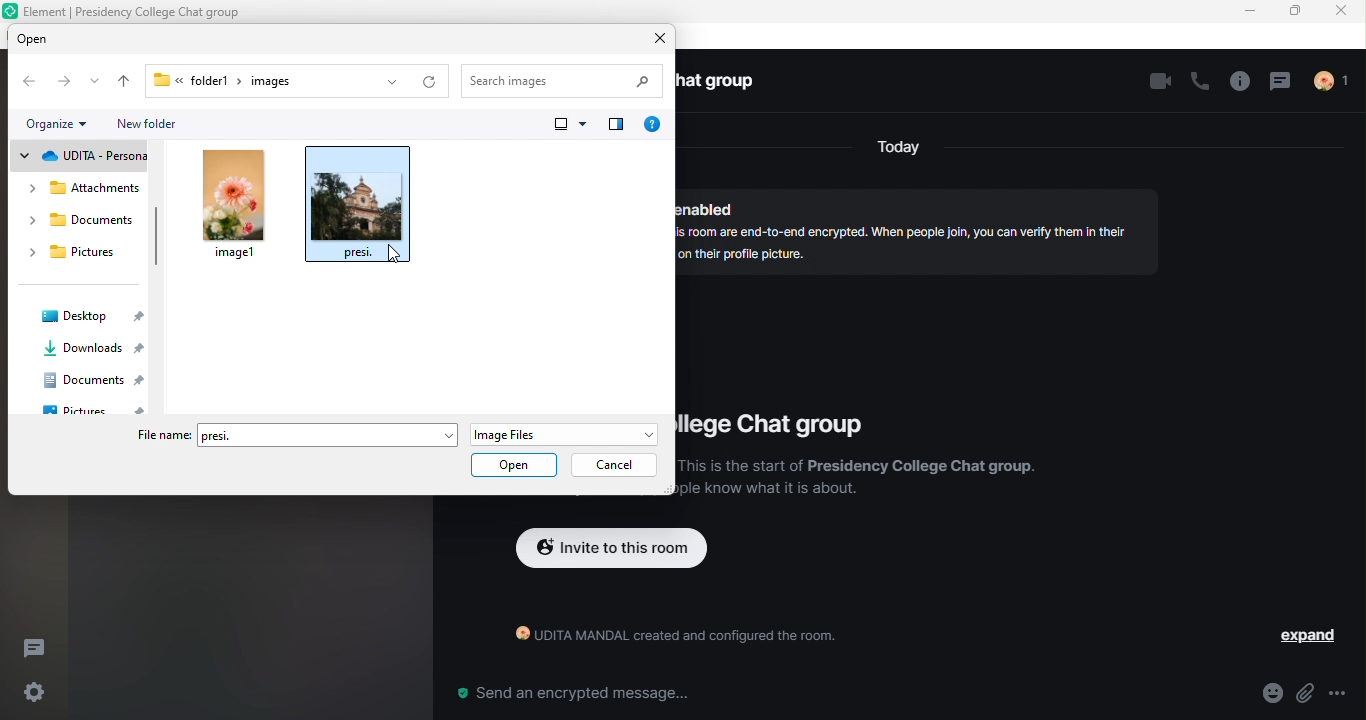 Image resolution: width=1366 pixels, height=720 pixels. Describe the element at coordinates (190, 79) in the screenshot. I see `folder1` at that location.